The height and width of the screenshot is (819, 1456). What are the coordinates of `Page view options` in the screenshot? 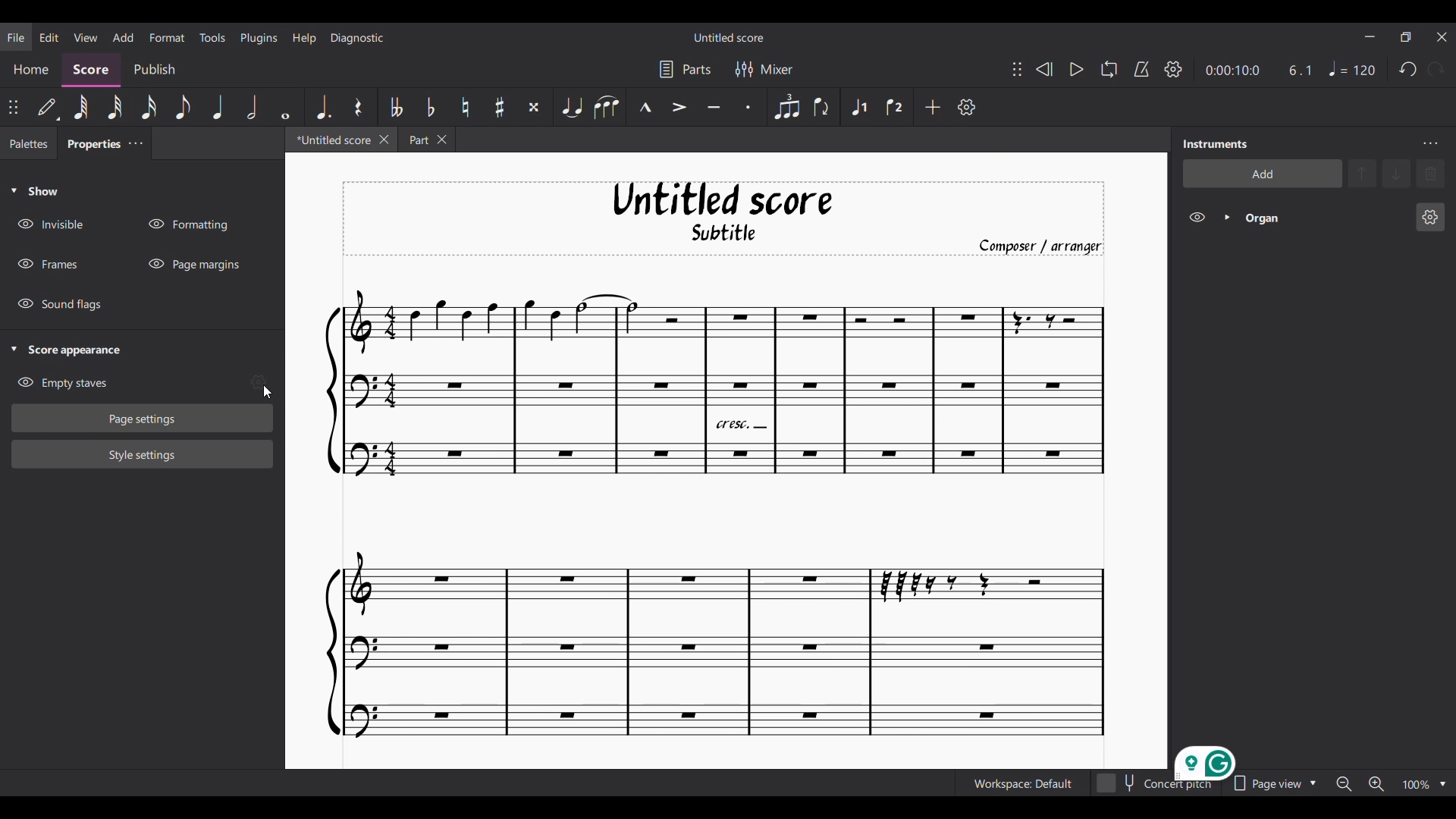 It's located at (1270, 783).